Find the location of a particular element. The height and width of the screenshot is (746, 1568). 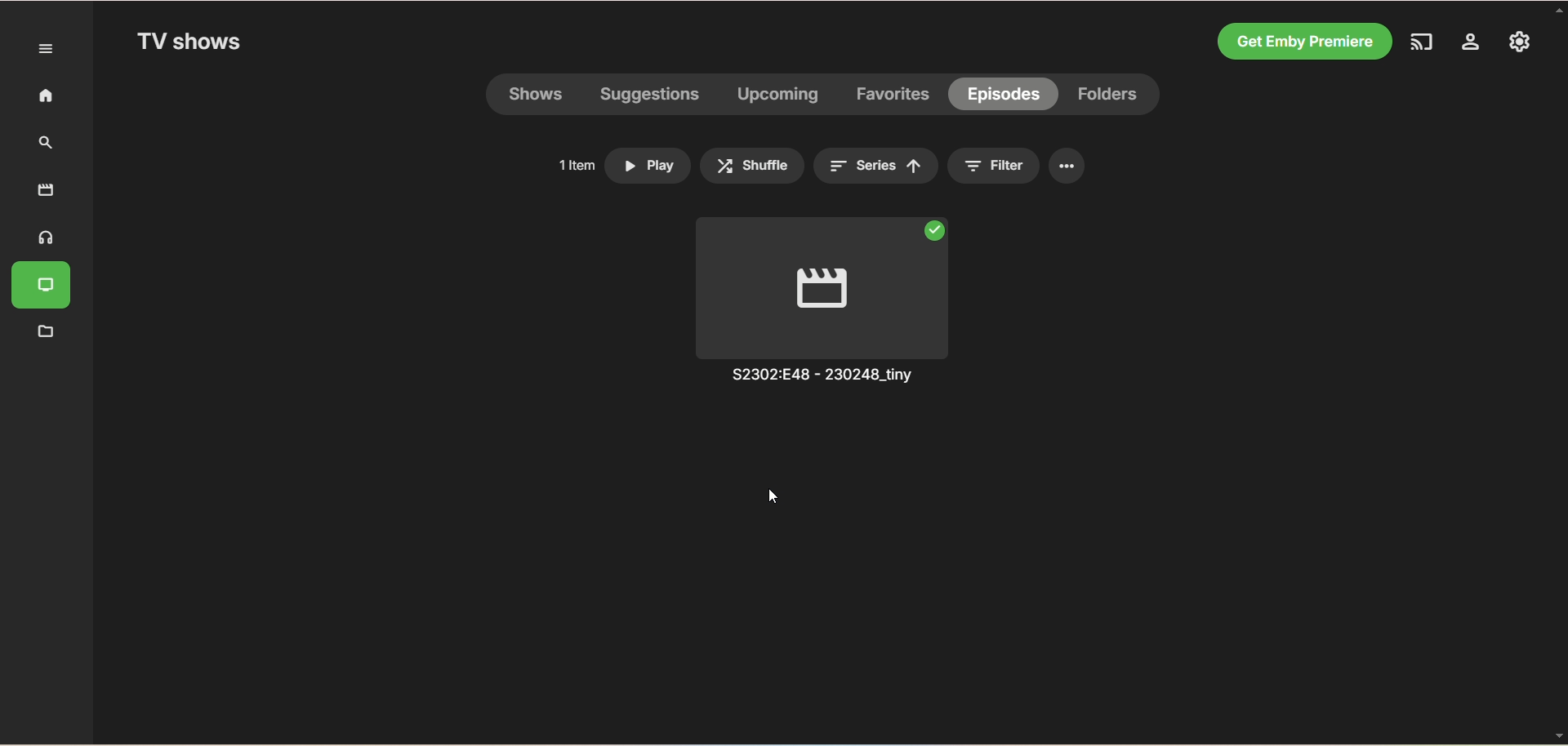

expand is located at coordinates (47, 49).